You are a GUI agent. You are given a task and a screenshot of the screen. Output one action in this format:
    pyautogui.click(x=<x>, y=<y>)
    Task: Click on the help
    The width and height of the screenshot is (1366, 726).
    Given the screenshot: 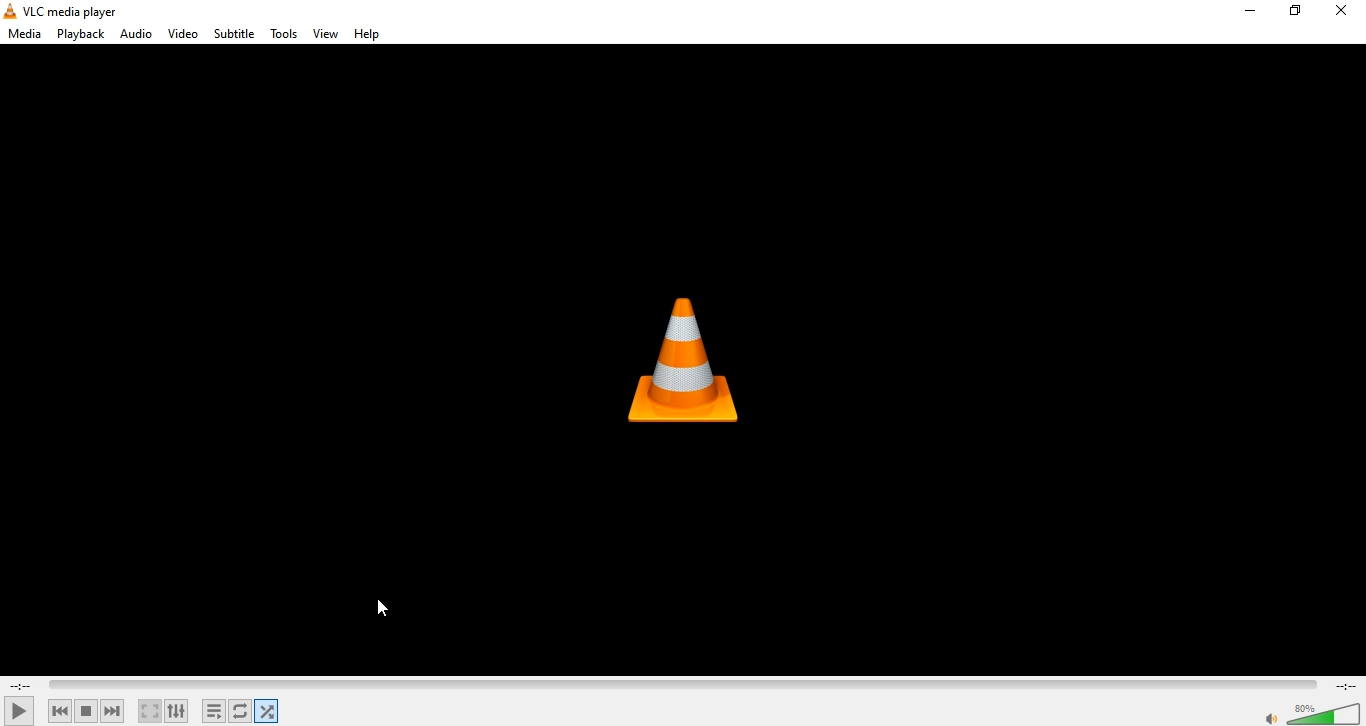 What is the action you would take?
    pyautogui.click(x=372, y=34)
    